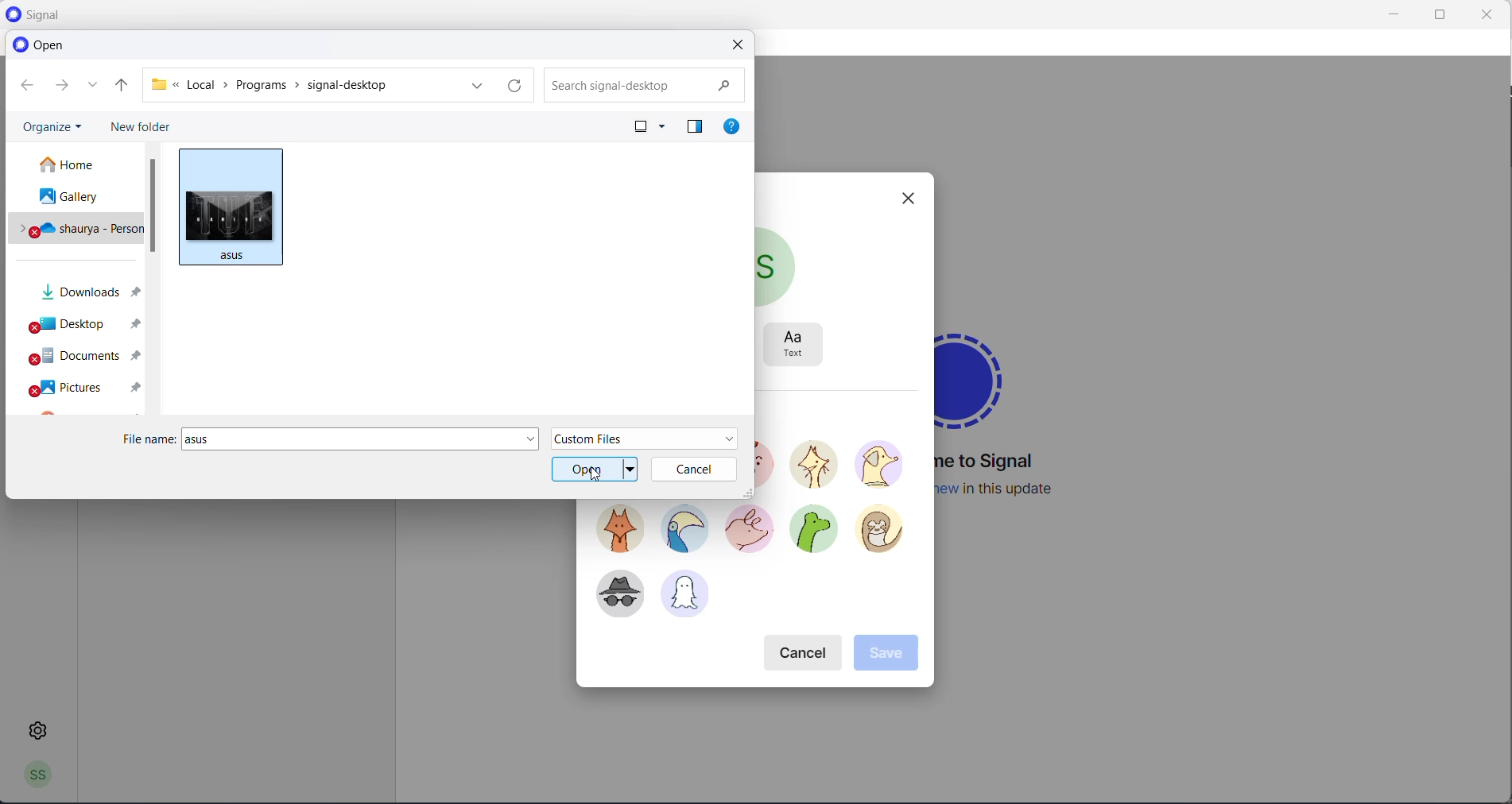  I want to click on file name textbox, so click(344, 439).